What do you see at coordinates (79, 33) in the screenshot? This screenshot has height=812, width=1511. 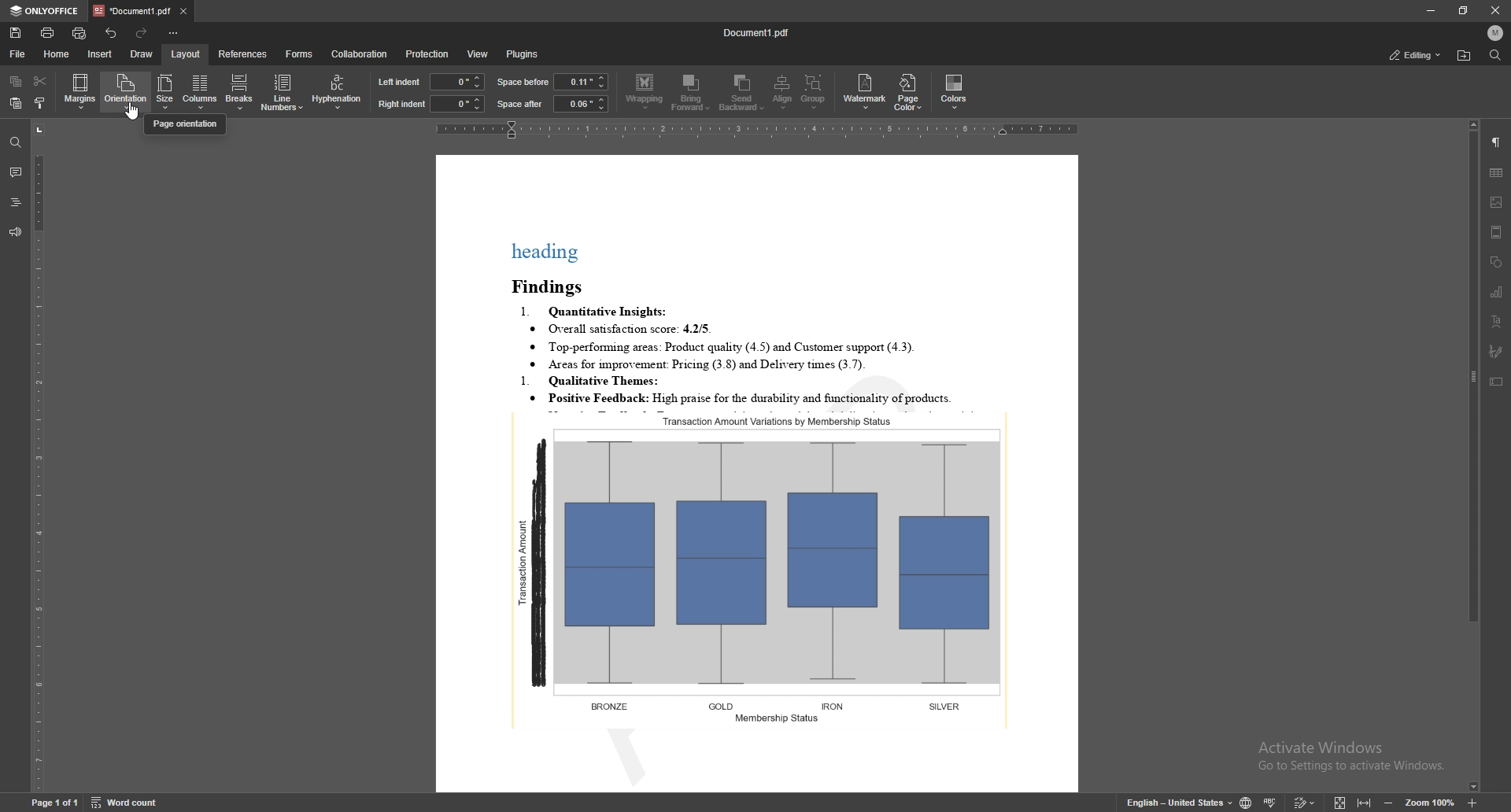 I see `quick print` at bounding box center [79, 33].